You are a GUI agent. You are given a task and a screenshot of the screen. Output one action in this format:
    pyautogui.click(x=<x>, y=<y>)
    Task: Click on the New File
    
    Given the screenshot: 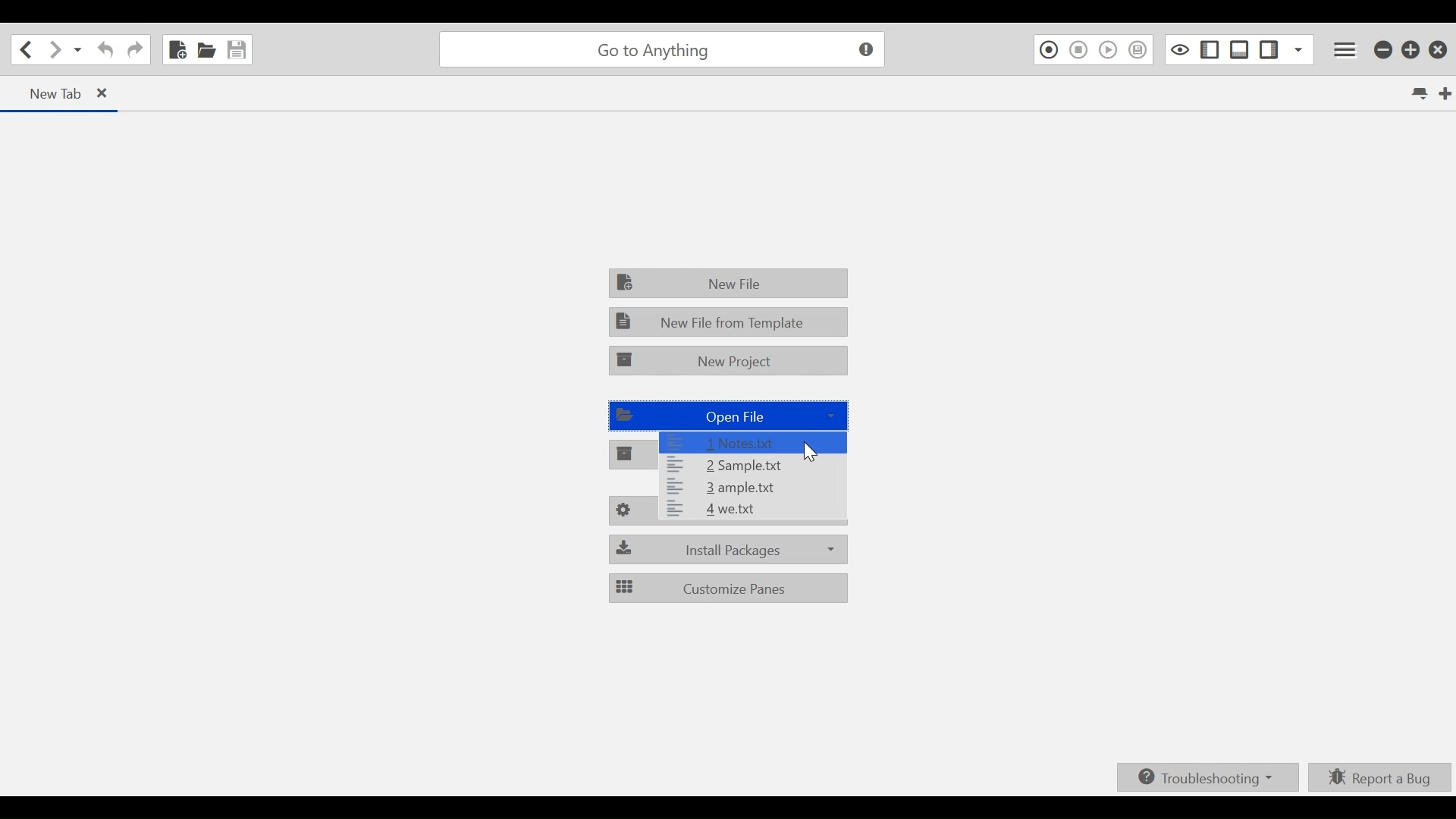 What is the action you would take?
    pyautogui.click(x=176, y=48)
    